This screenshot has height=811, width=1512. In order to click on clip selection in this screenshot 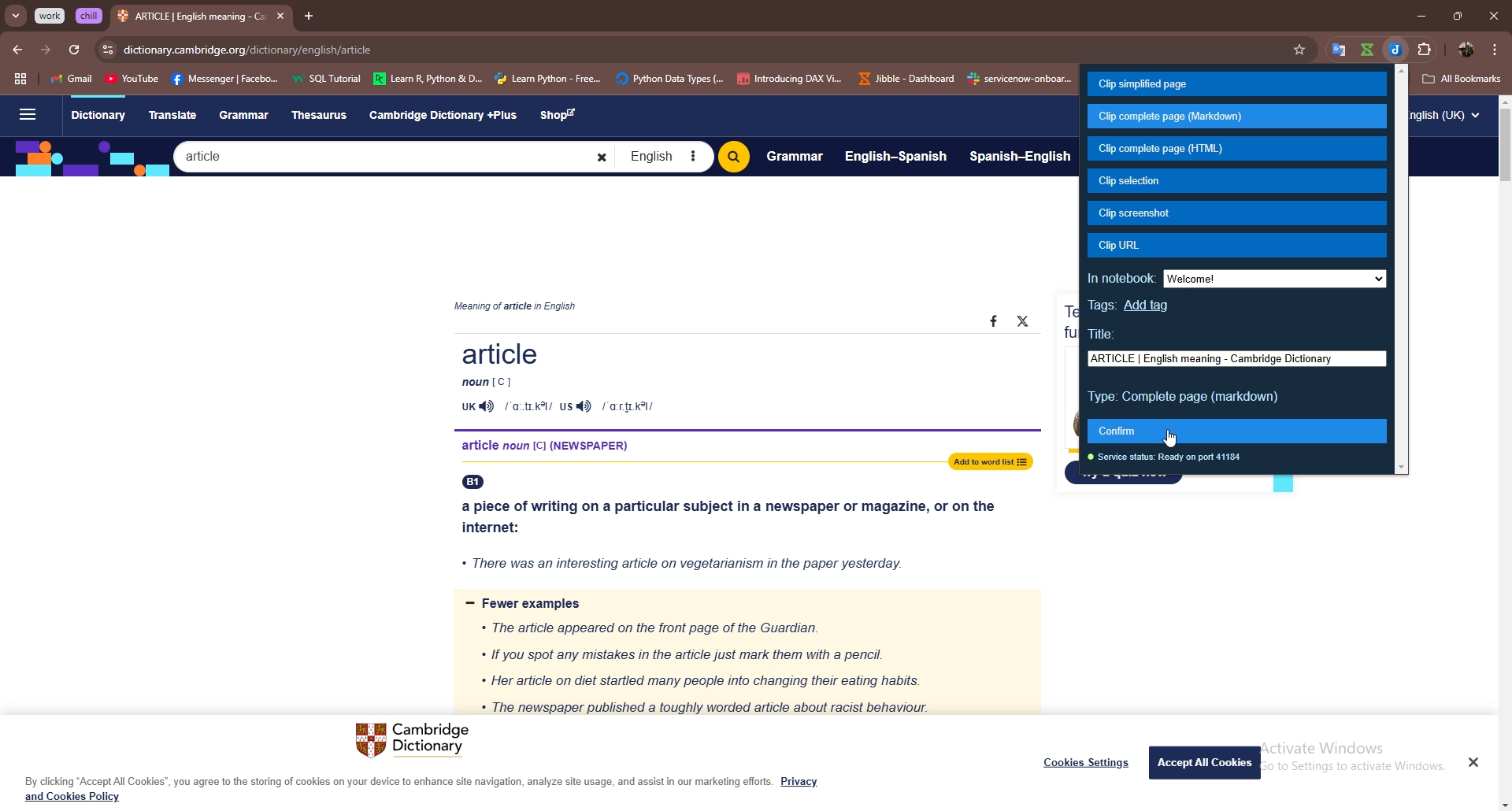, I will do `click(1237, 181)`.